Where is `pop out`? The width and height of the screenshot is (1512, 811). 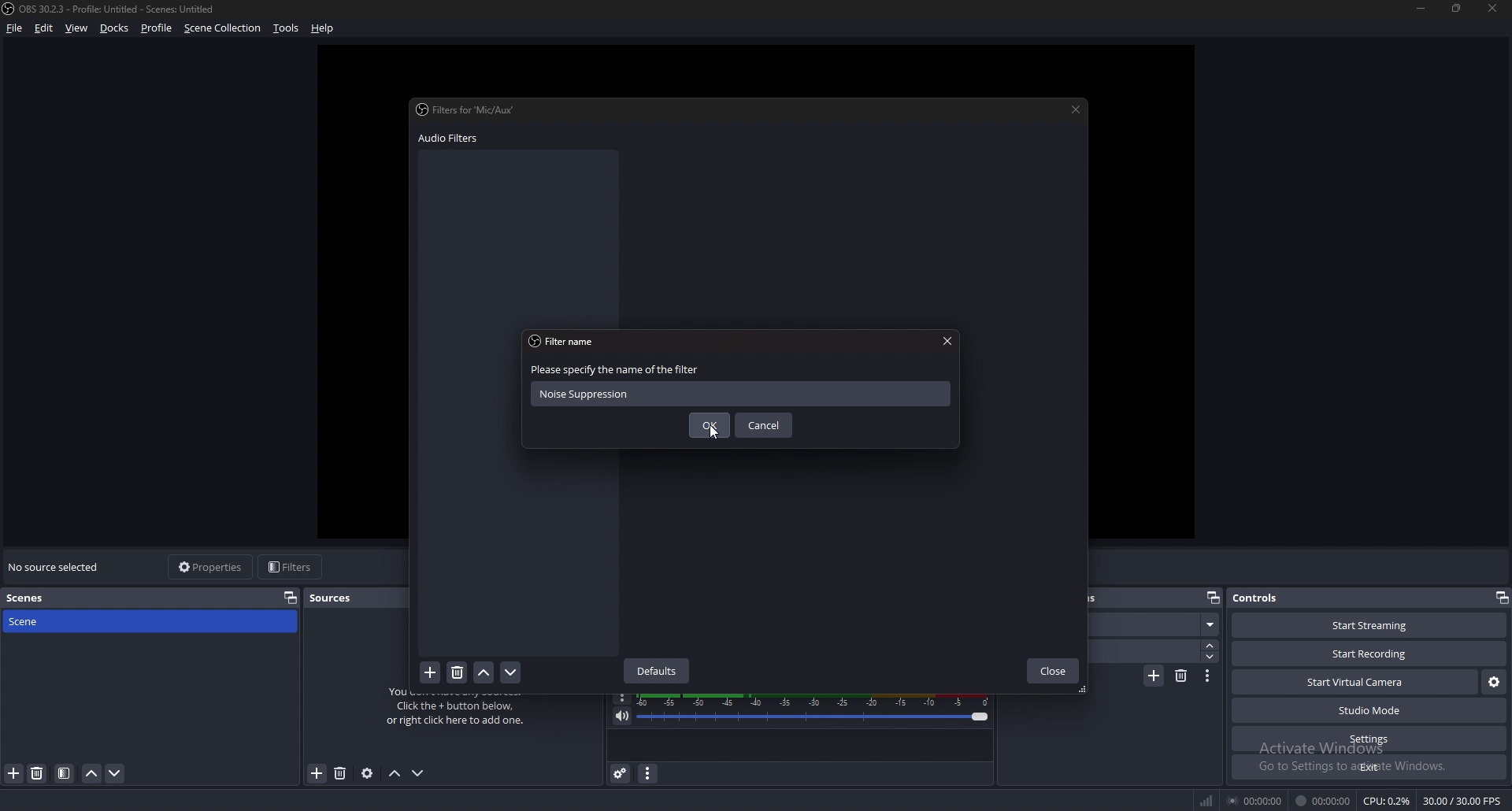 pop out is located at coordinates (1503, 598).